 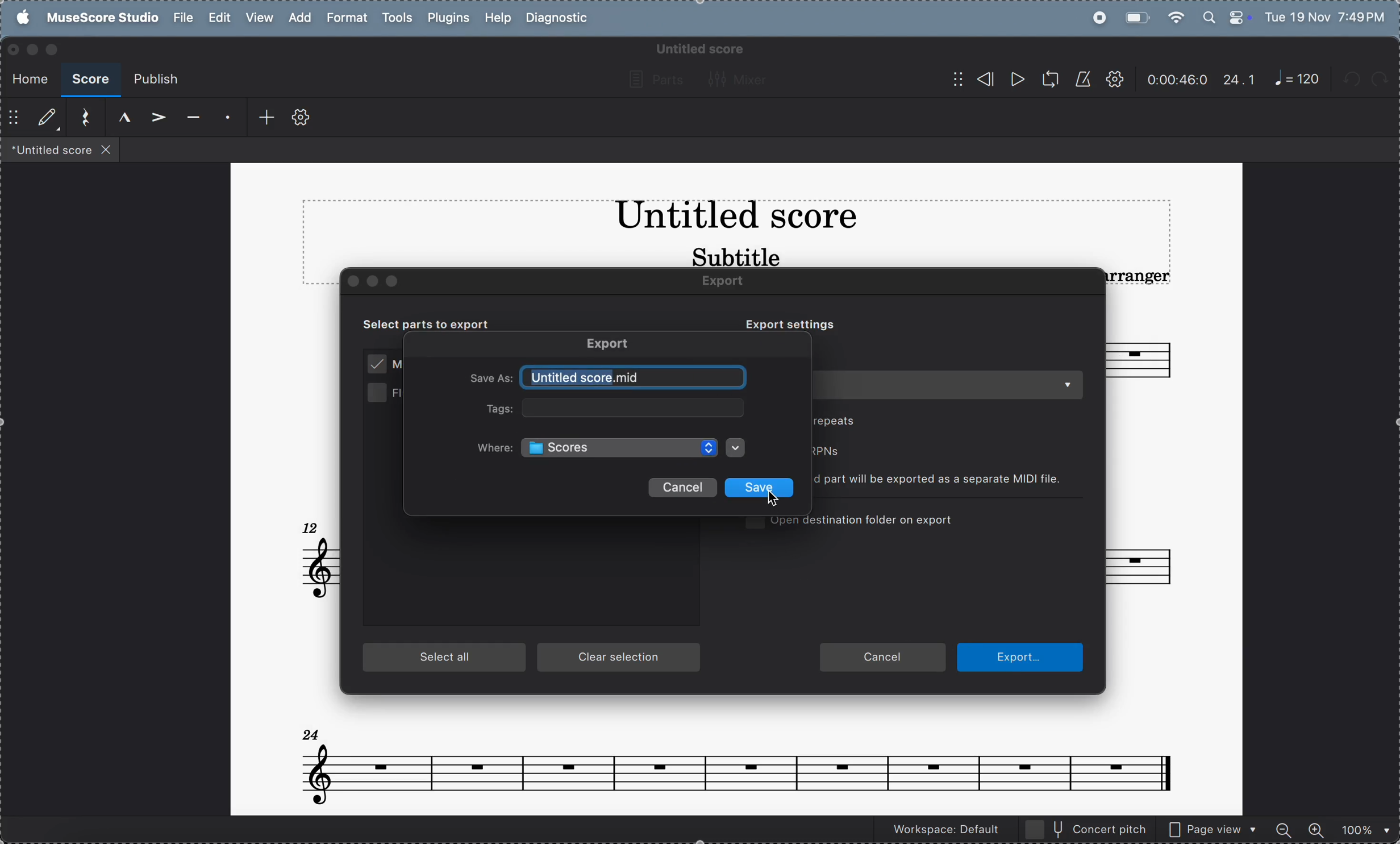 I want to click on select all, so click(x=445, y=658).